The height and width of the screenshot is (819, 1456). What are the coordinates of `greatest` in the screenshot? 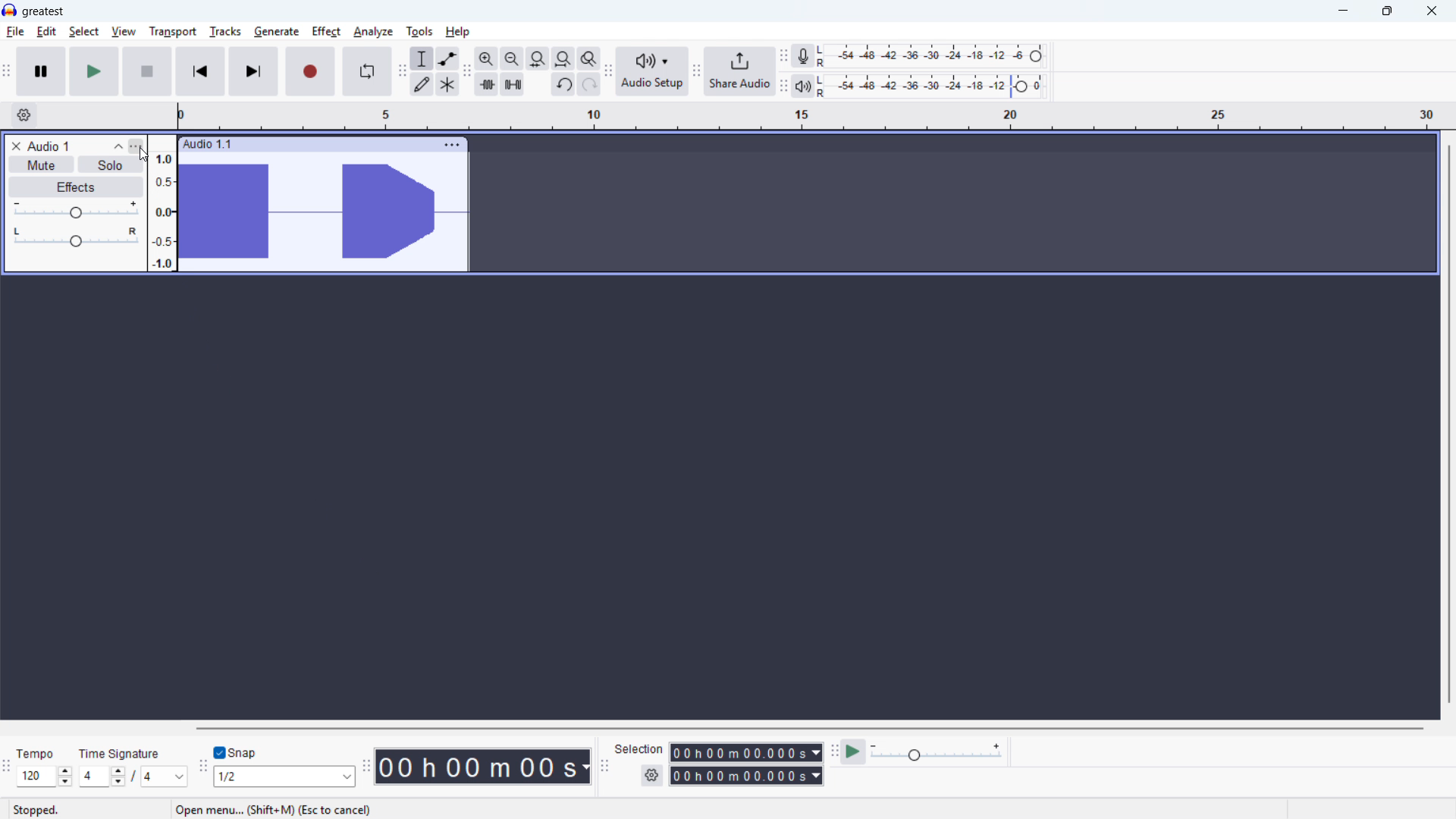 It's located at (43, 12).